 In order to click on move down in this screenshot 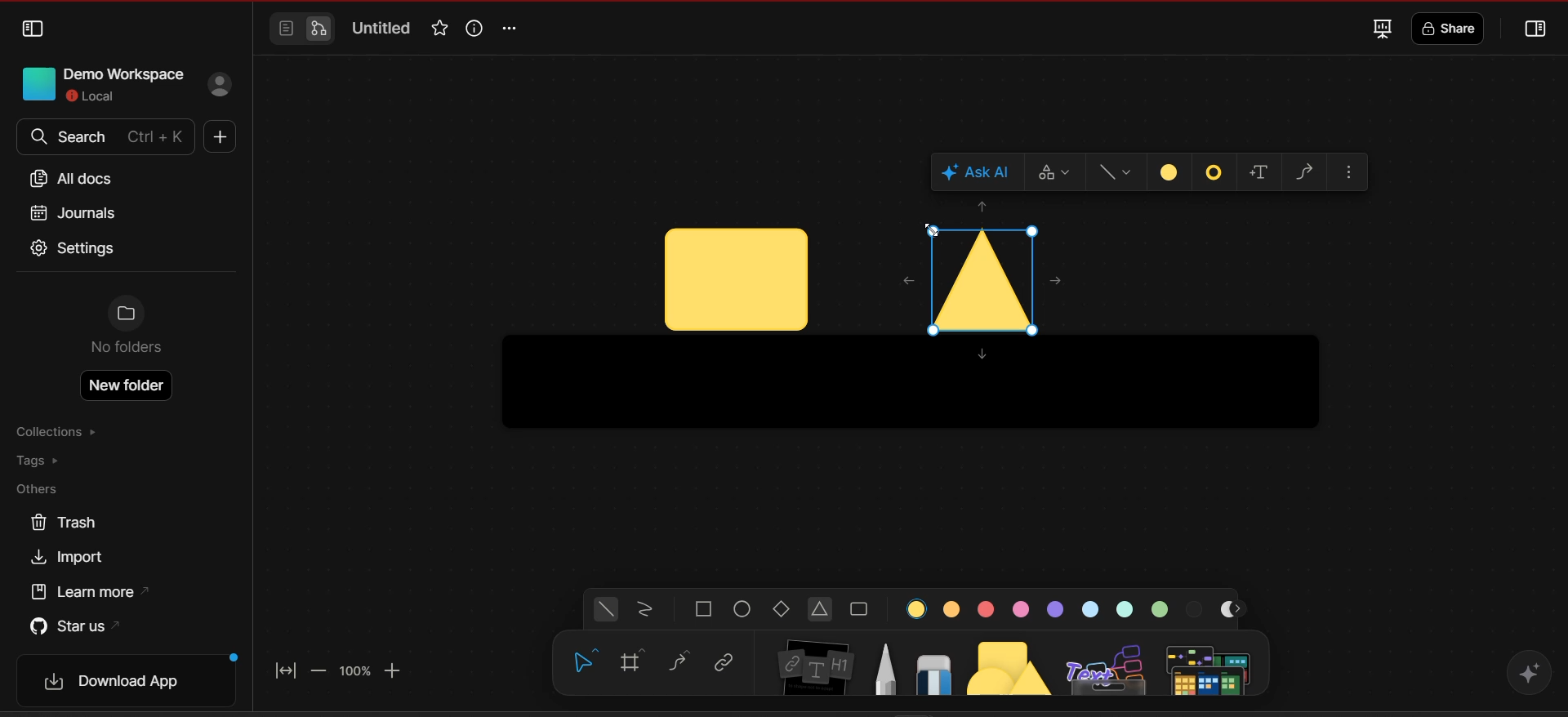, I will do `click(982, 356)`.